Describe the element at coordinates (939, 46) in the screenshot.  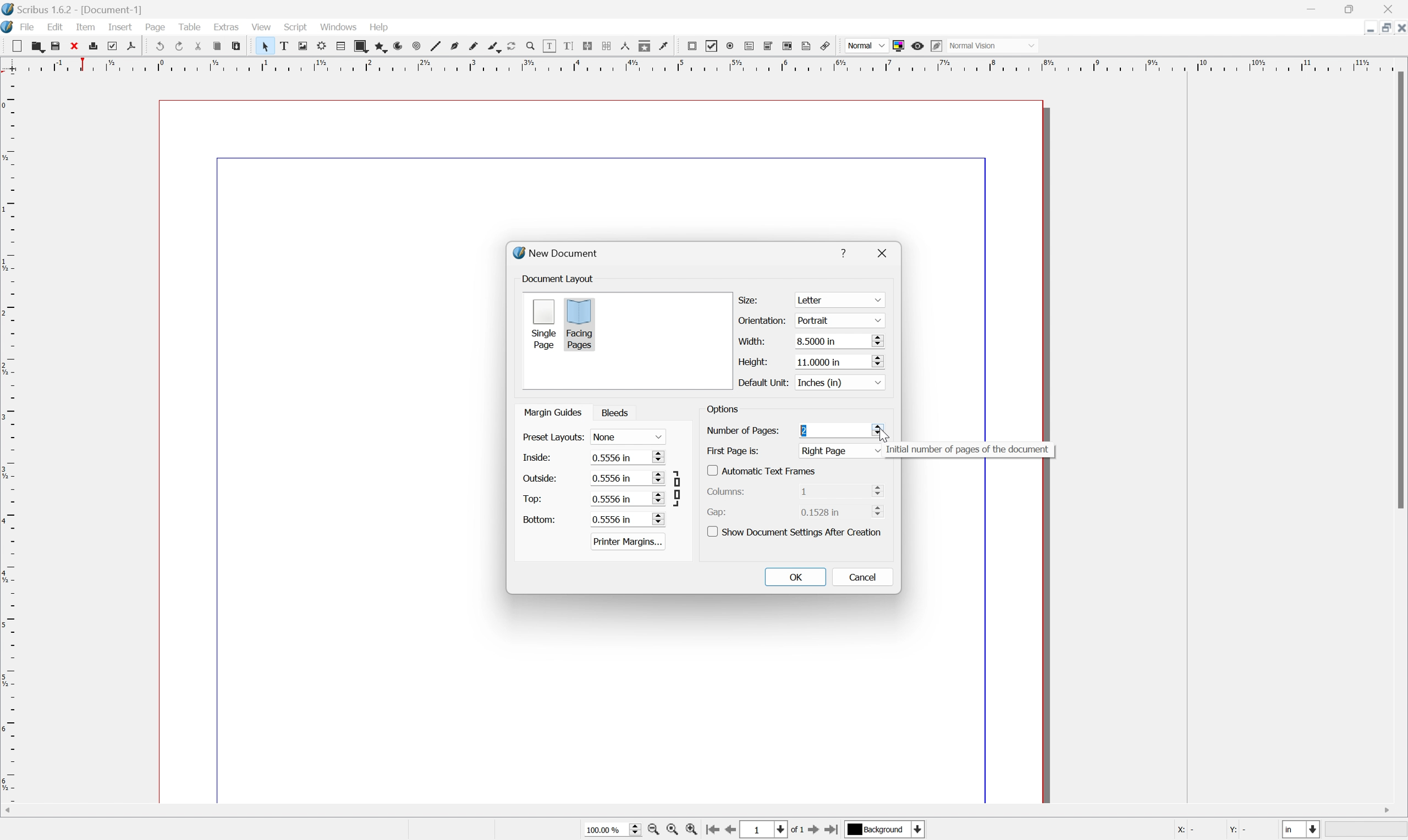
I see `Edit in preview mode` at that location.